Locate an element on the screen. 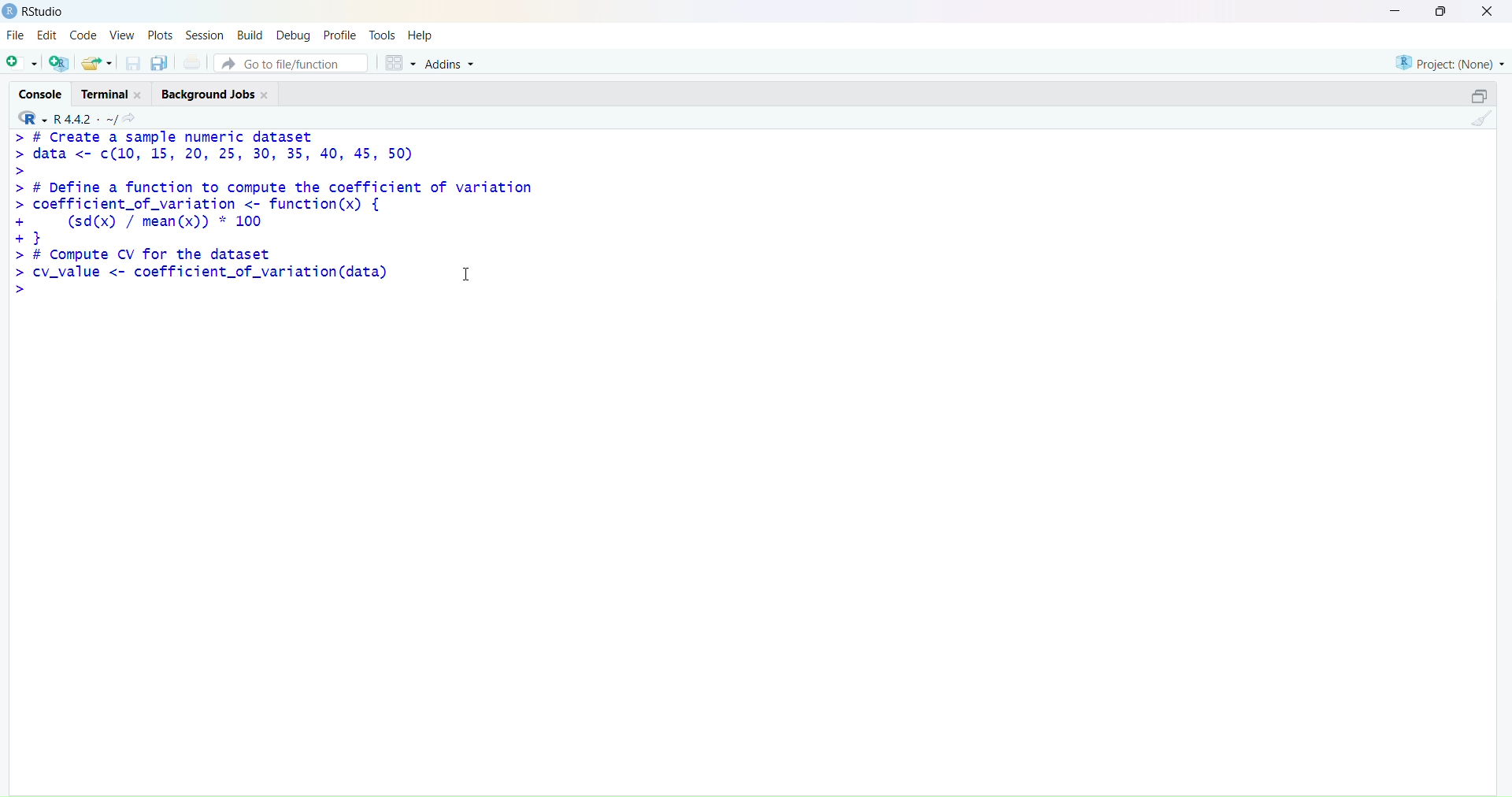 This screenshot has height=797, width=1512. add R file is located at coordinates (59, 64).